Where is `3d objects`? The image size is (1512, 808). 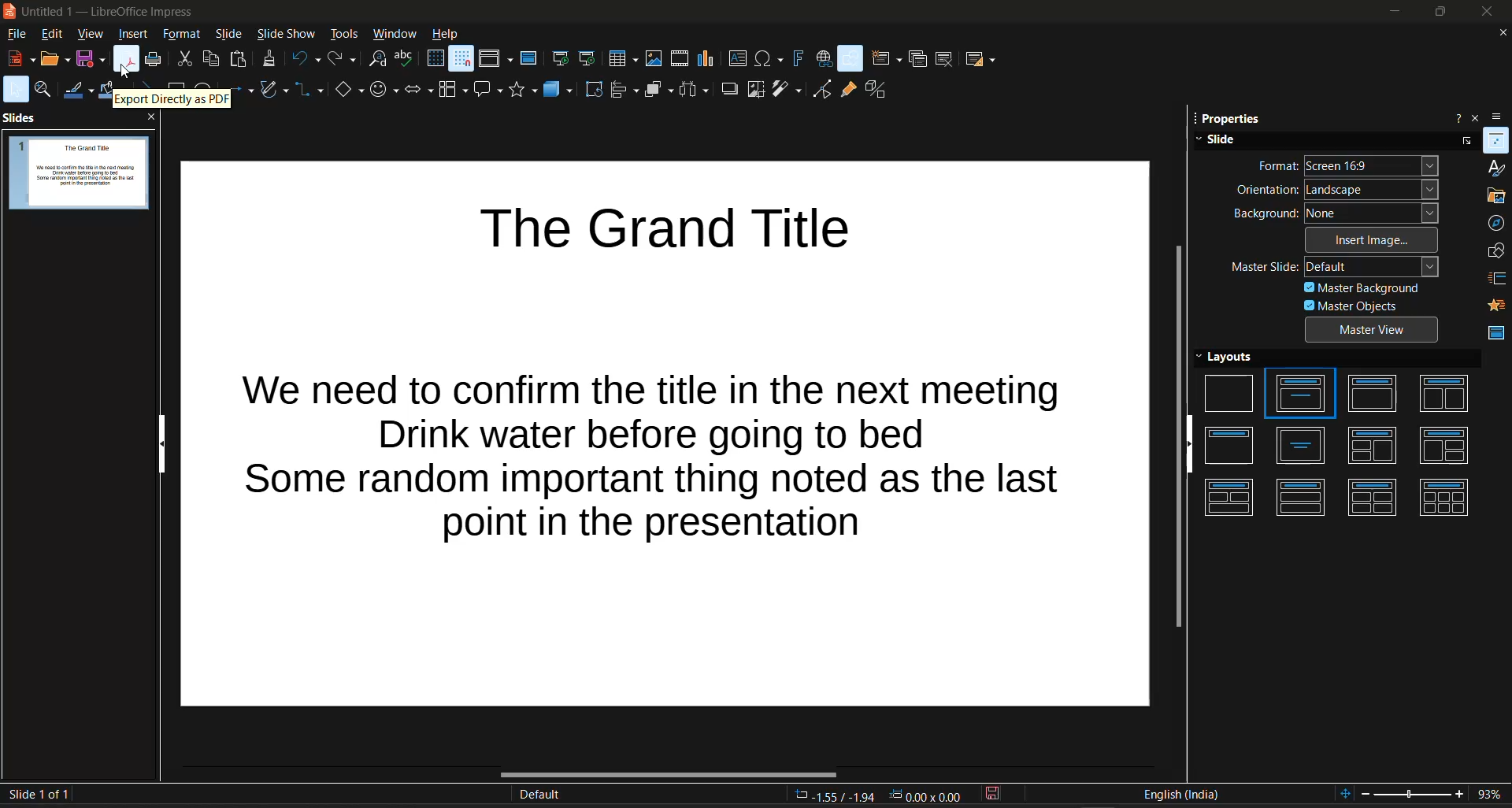
3d objects is located at coordinates (559, 91).